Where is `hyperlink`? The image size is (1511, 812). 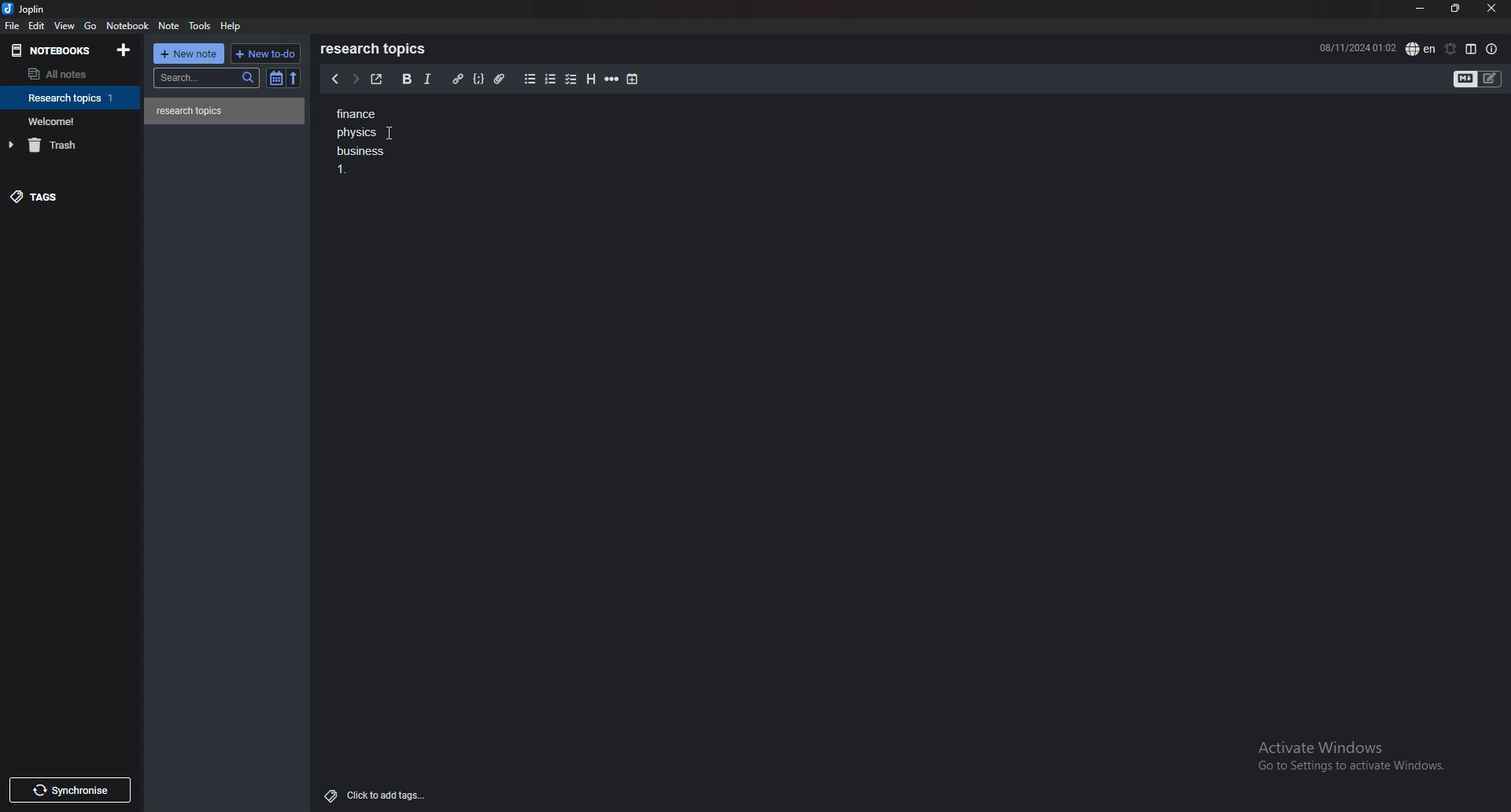
hyperlink is located at coordinates (457, 79).